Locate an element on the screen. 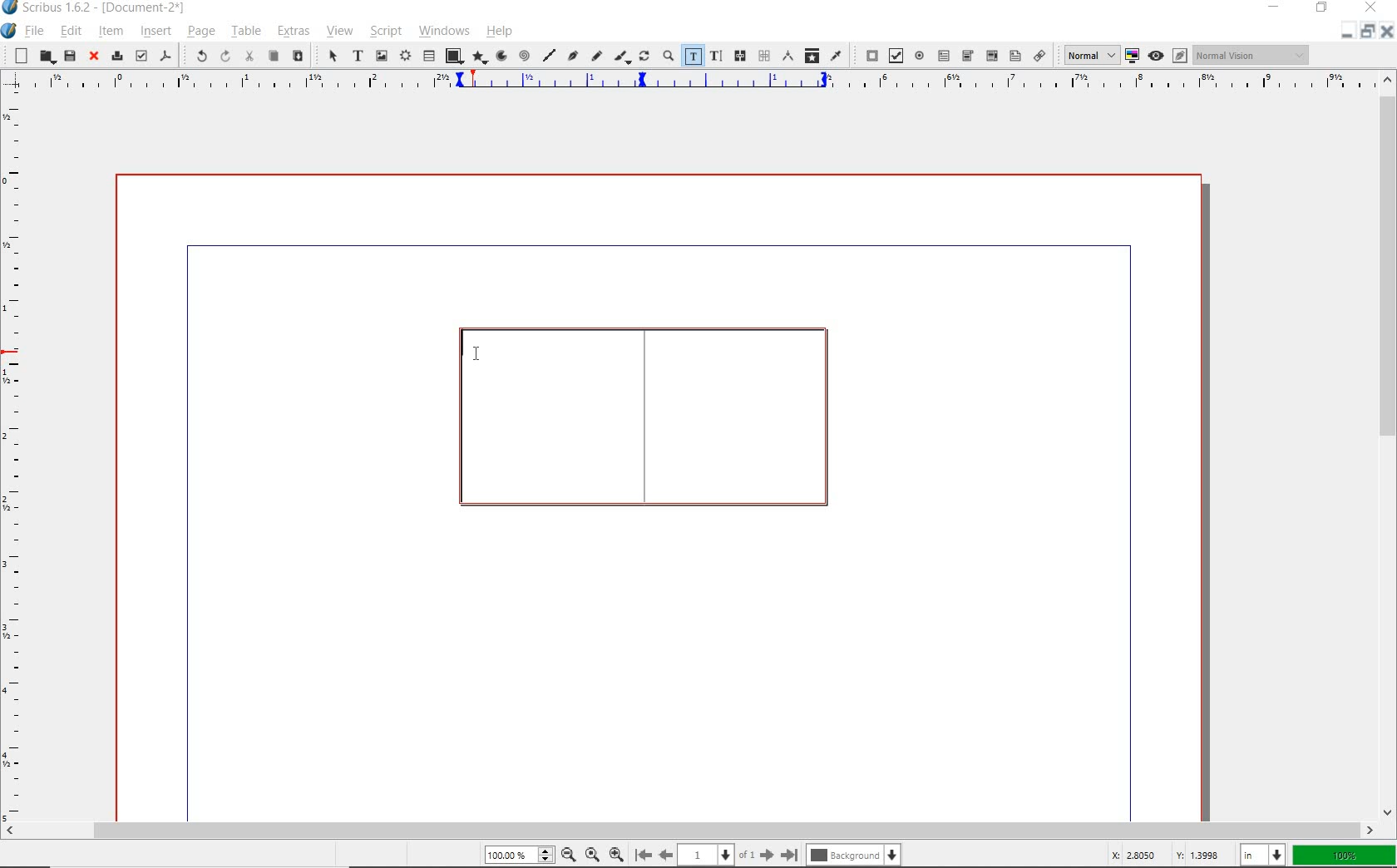  eye dropper is located at coordinates (837, 56).